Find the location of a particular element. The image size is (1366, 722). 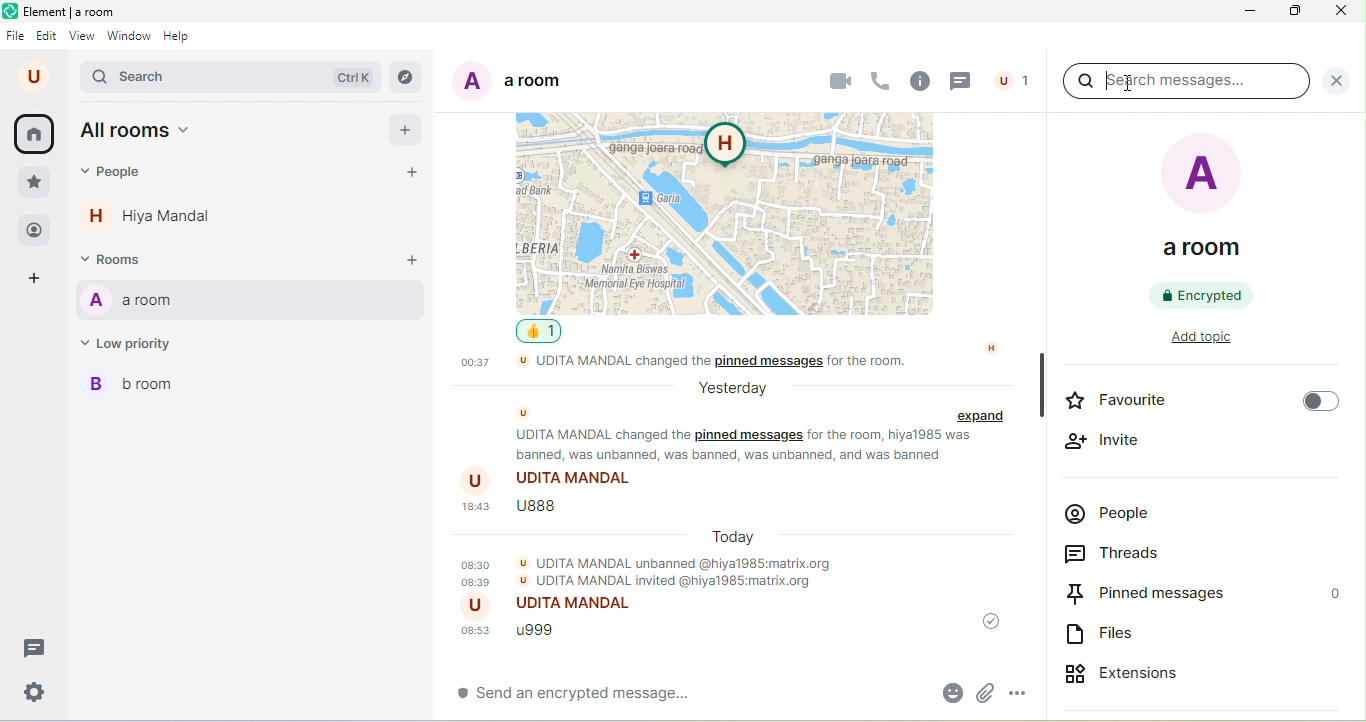

rooms is located at coordinates (120, 261).